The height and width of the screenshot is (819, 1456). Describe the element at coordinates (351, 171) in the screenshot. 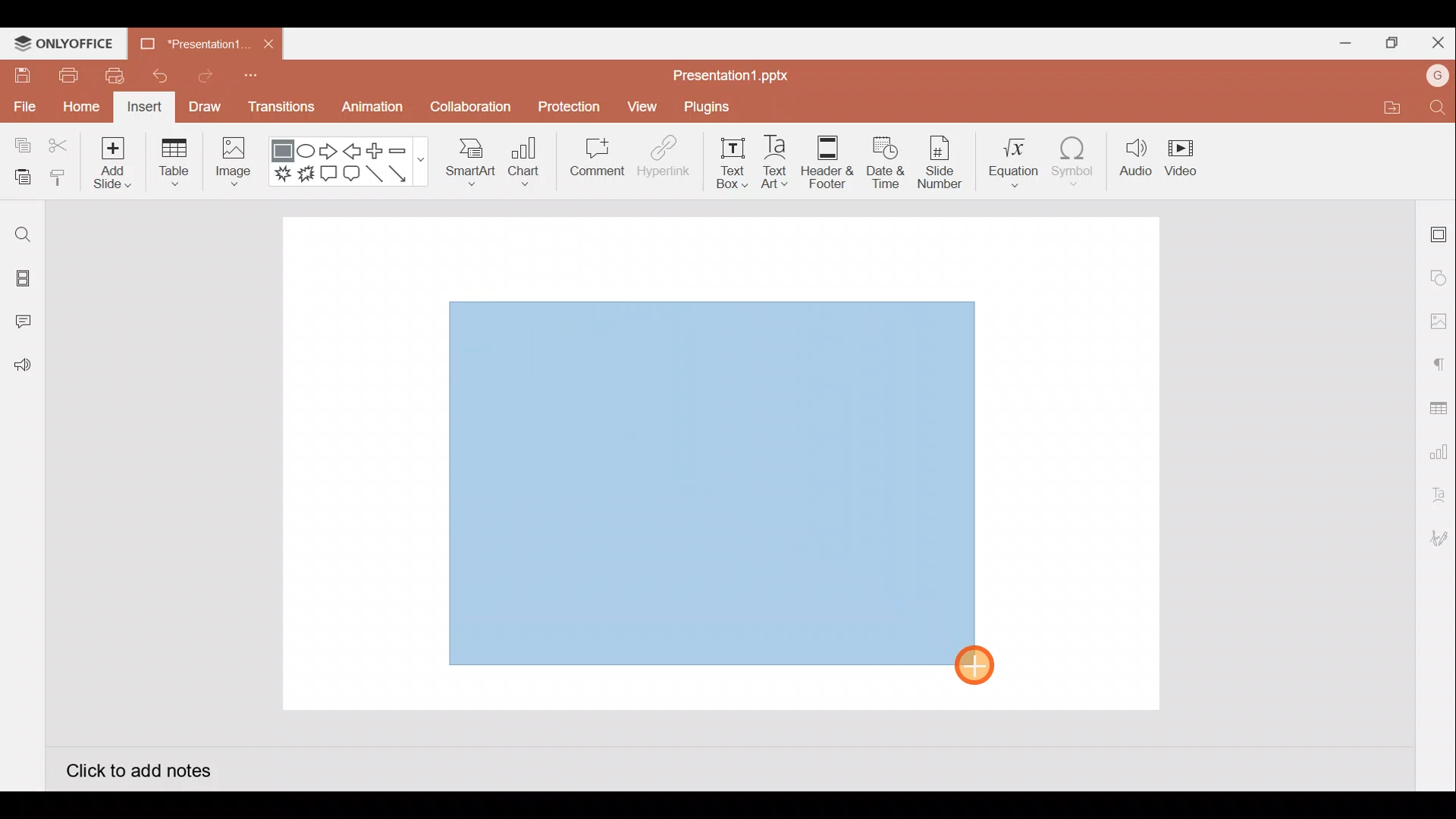

I see `Rounded Rectangular callout` at that location.